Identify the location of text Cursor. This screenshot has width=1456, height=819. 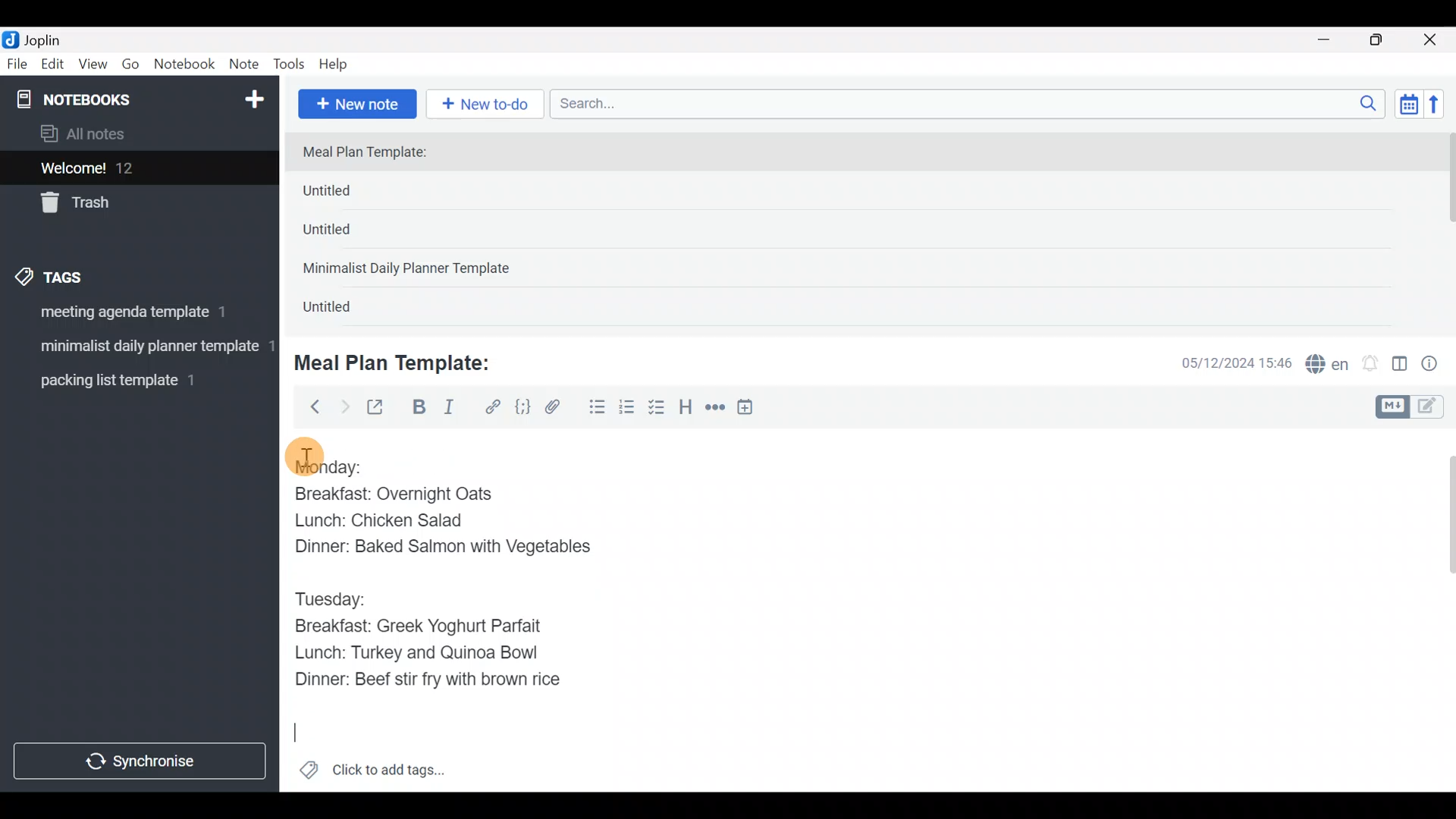
(300, 736).